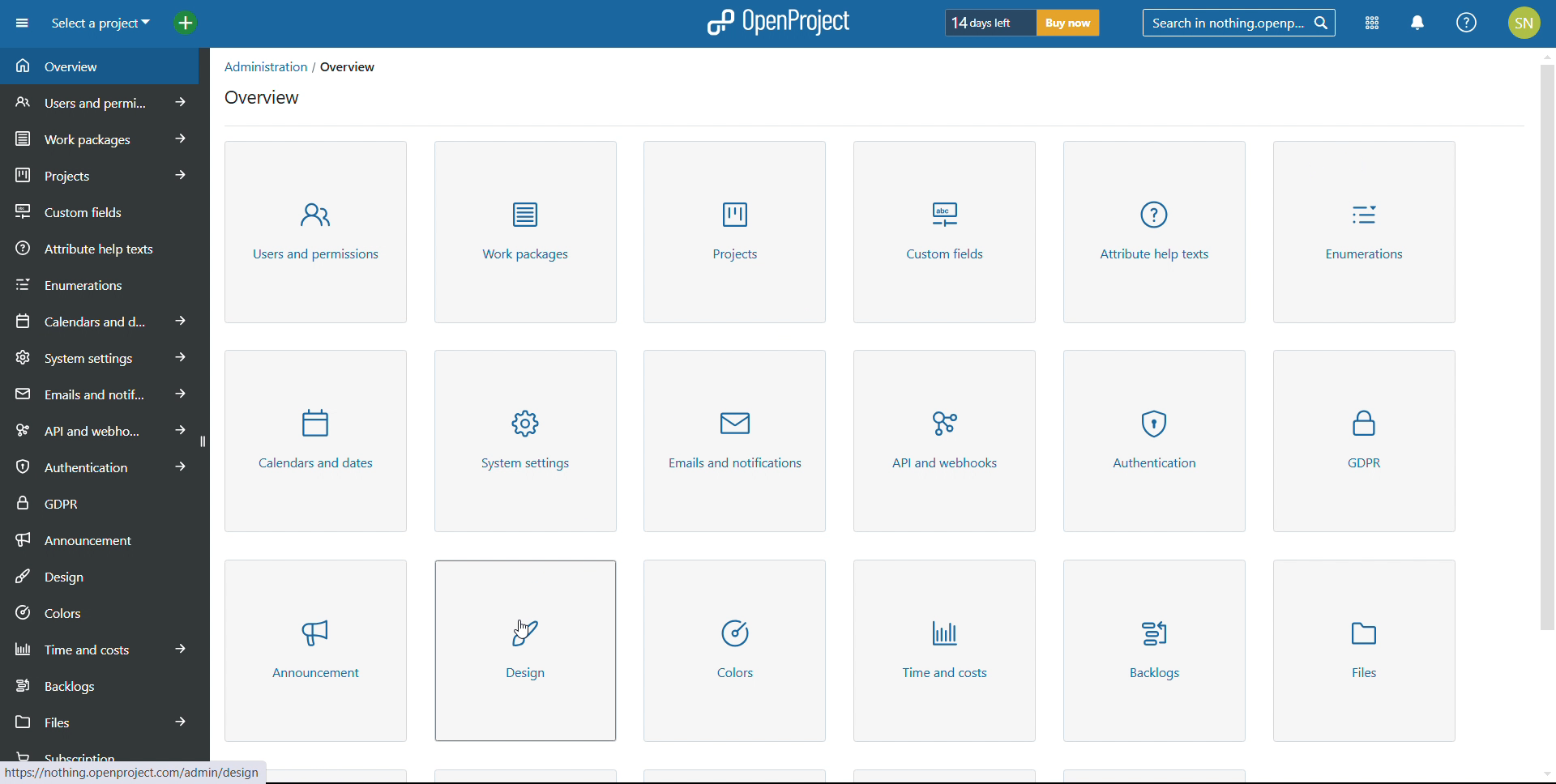  Describe the element at coordinates (105, 574) in the screenshot. I see `design` at that location.